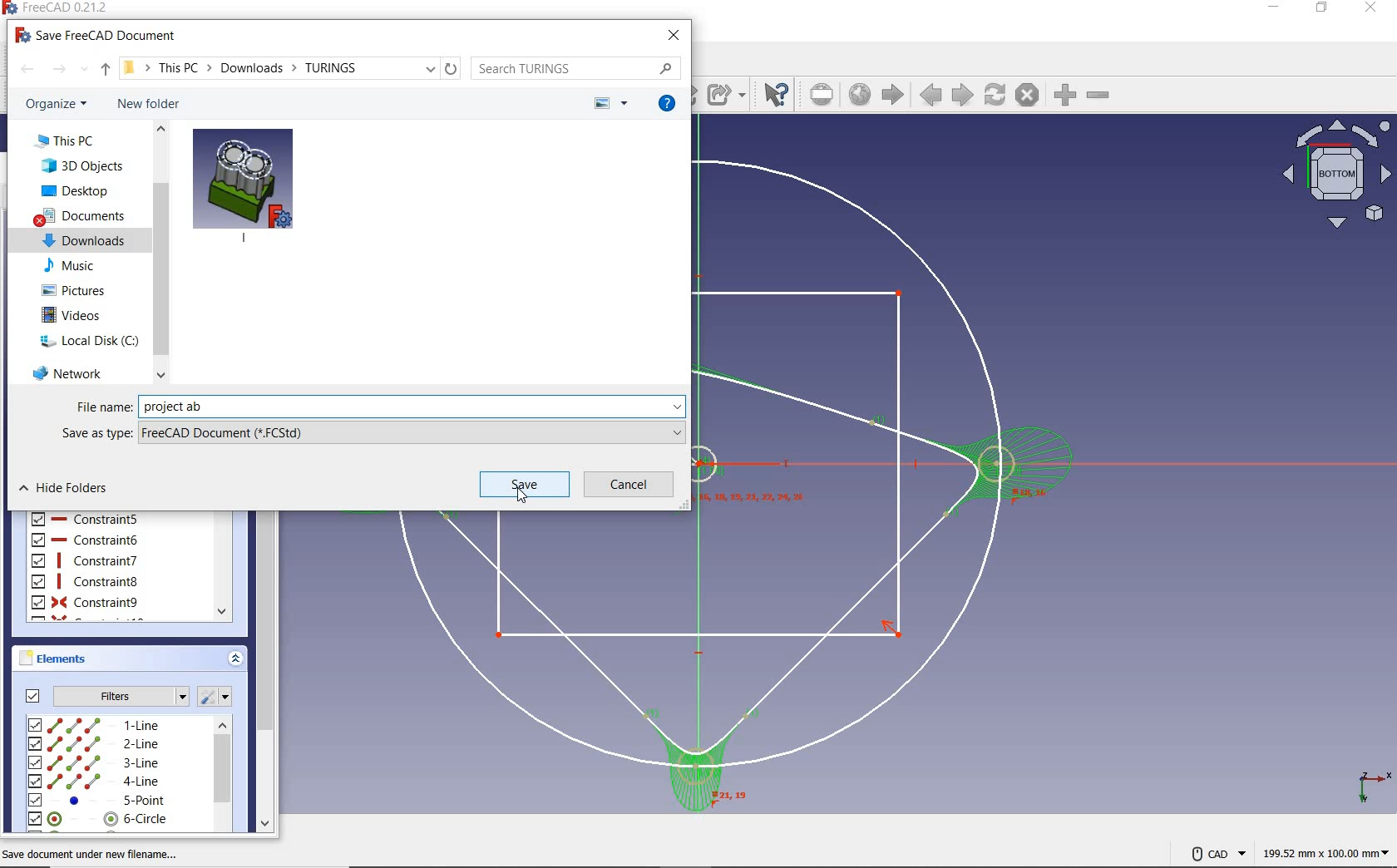 This screenshot has height=868, width=1397. Describe the element at coordinates (1368, 784) in the screenshot. I see `xyz plane` at that location.